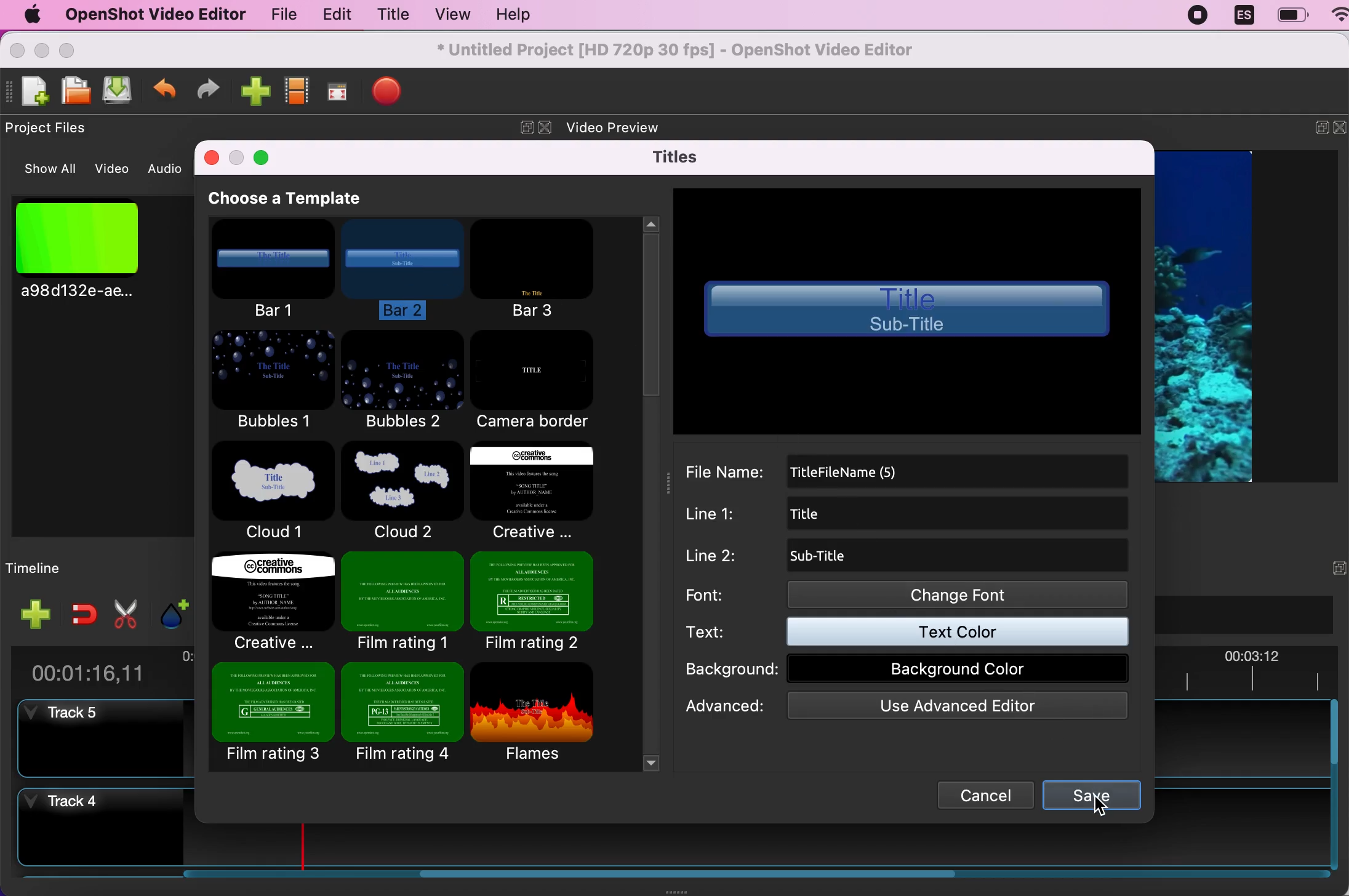 Image resolution: width=1349 pixels, height=896 pixels. What do you see at coordinates (209, 156) in the screenshot?
I see `close` at bounding box center [209, 156].